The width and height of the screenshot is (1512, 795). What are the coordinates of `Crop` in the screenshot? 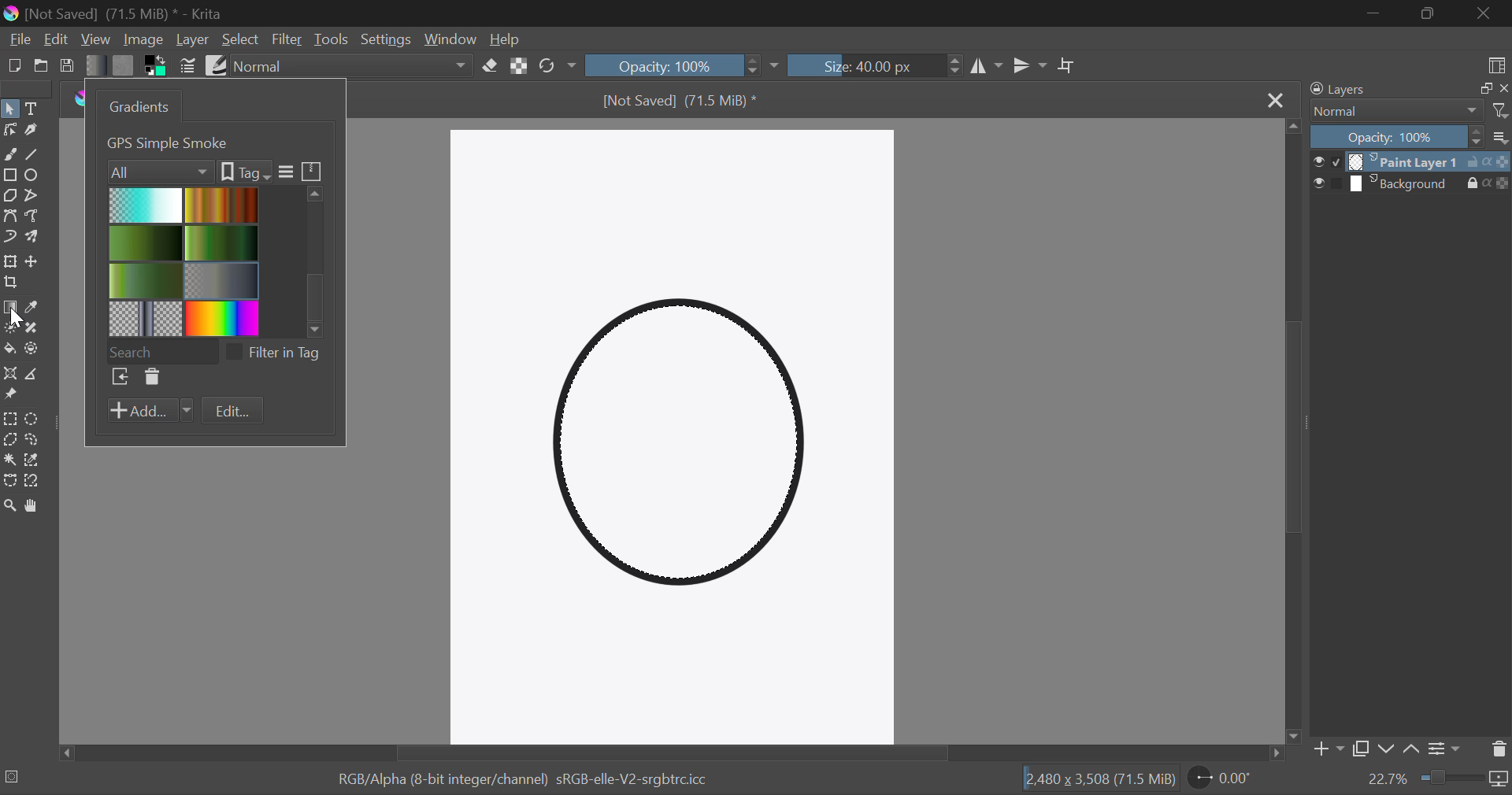 It's located at (1067, 66).